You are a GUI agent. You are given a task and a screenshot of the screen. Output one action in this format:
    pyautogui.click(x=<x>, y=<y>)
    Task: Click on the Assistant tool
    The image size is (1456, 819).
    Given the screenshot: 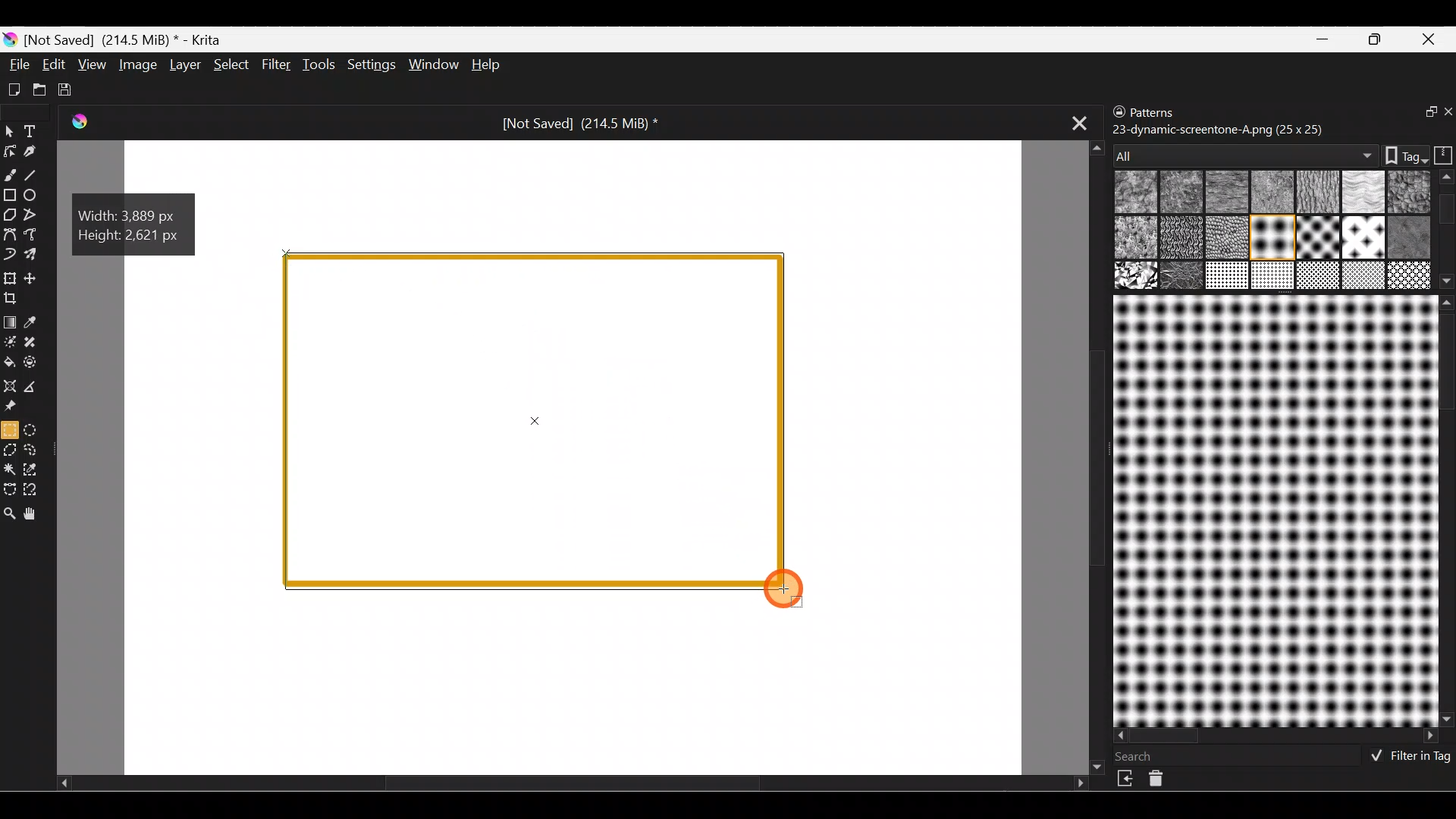 What is the action you would take?
    pyautogui.click(x=11, y=384)
    